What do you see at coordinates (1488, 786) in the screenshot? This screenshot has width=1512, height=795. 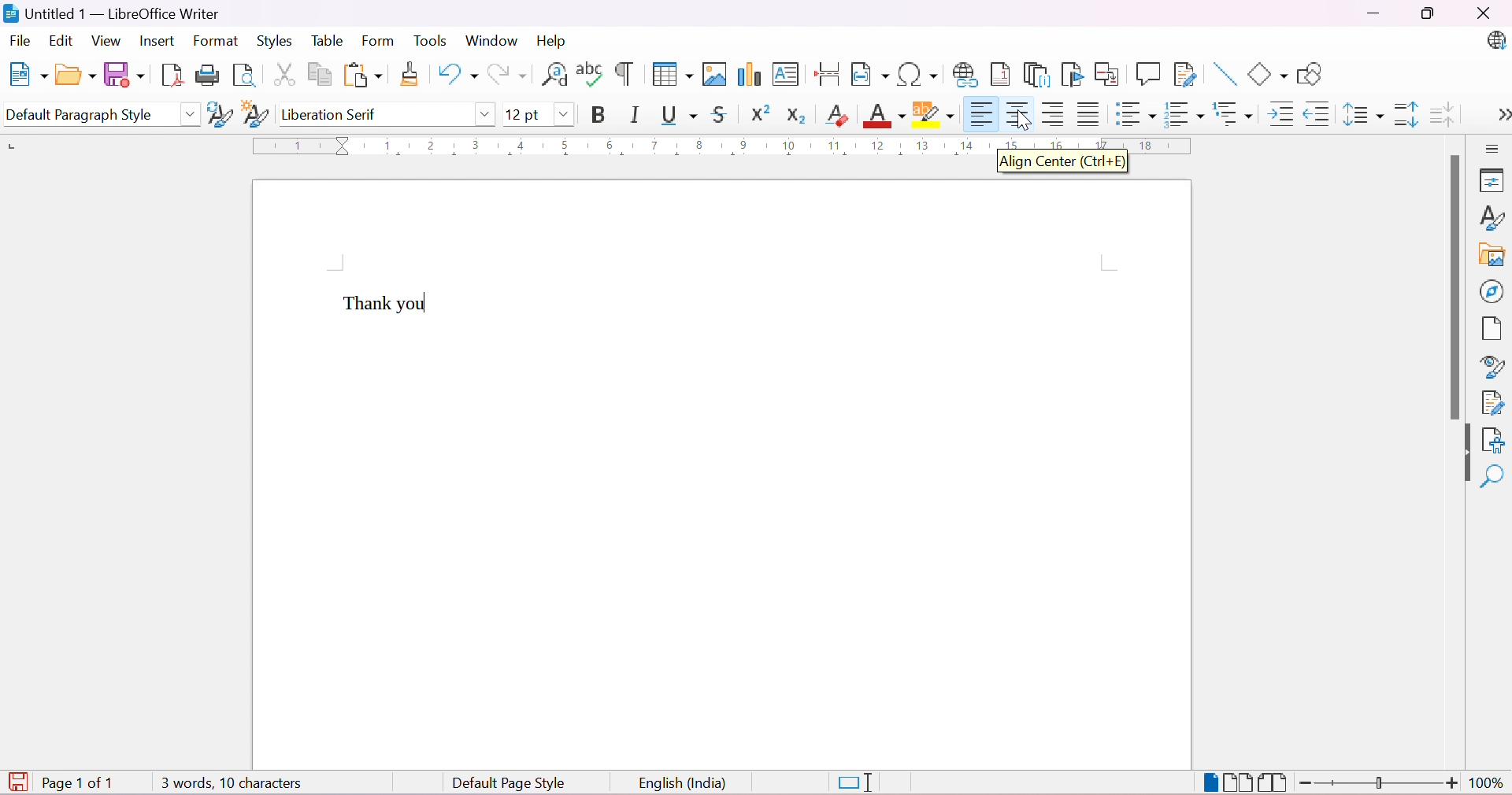 I see `100%` at bounding box center [1488, 786].